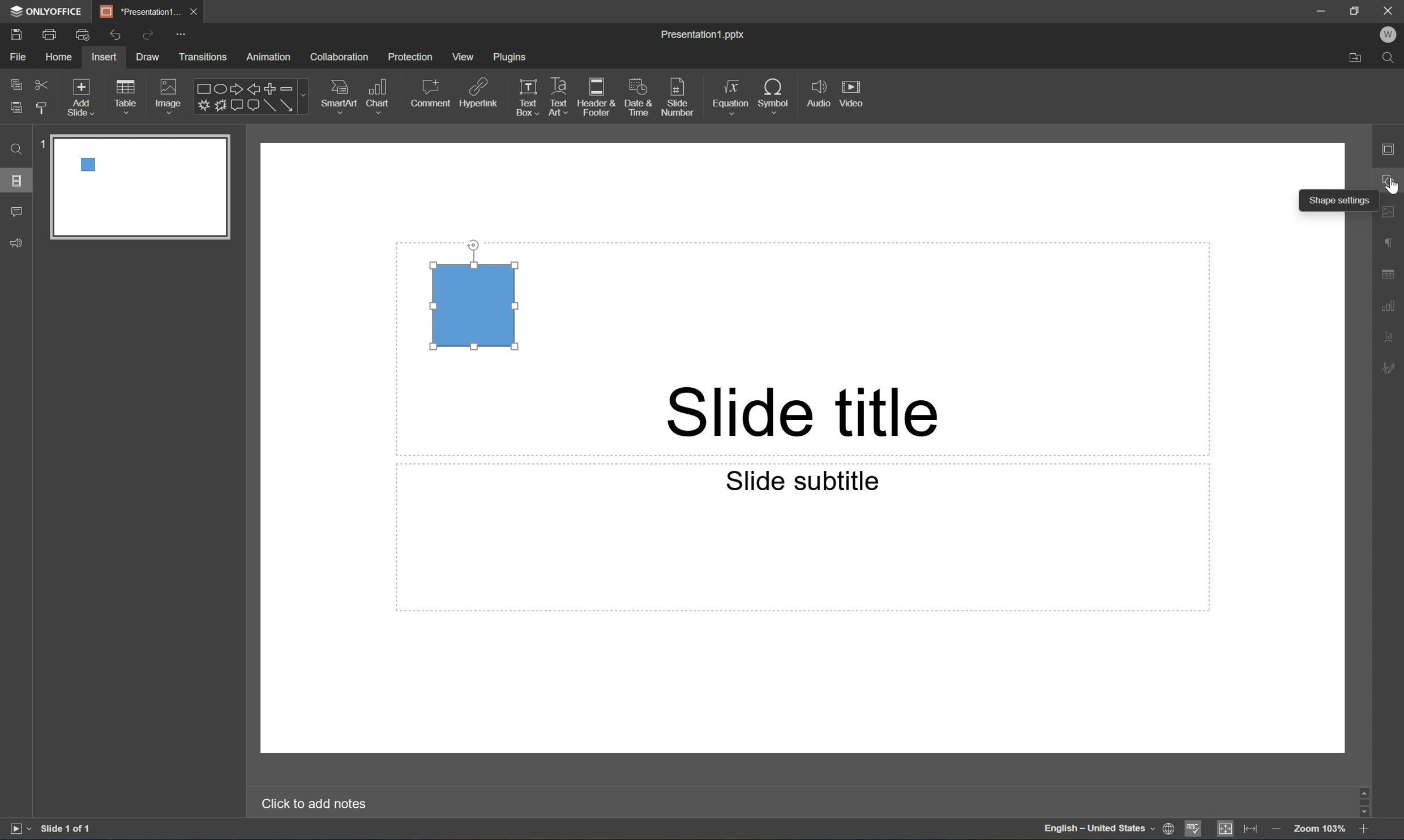 This screenshot has height=840, width=1404. Describe the element at coordinates (1388, 35) in the screenshot. I see `W` at that location.